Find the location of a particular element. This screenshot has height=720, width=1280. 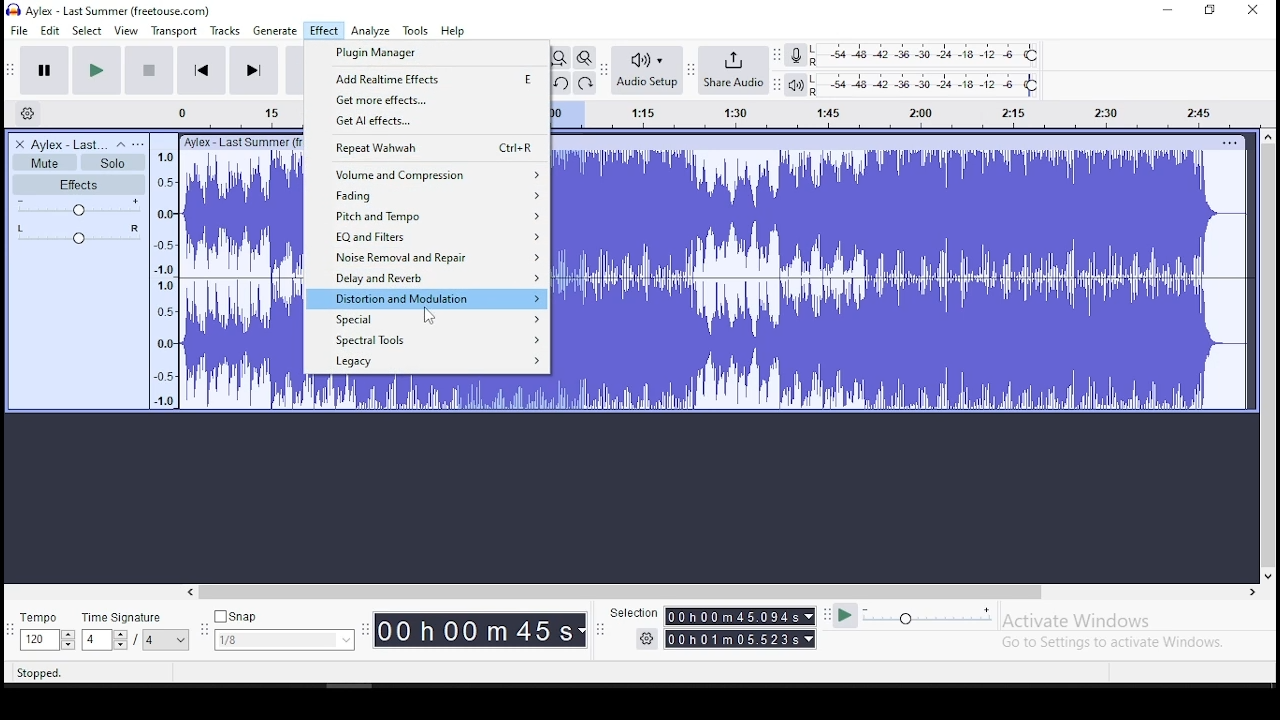

recording level is located at coordinates (932, 54).